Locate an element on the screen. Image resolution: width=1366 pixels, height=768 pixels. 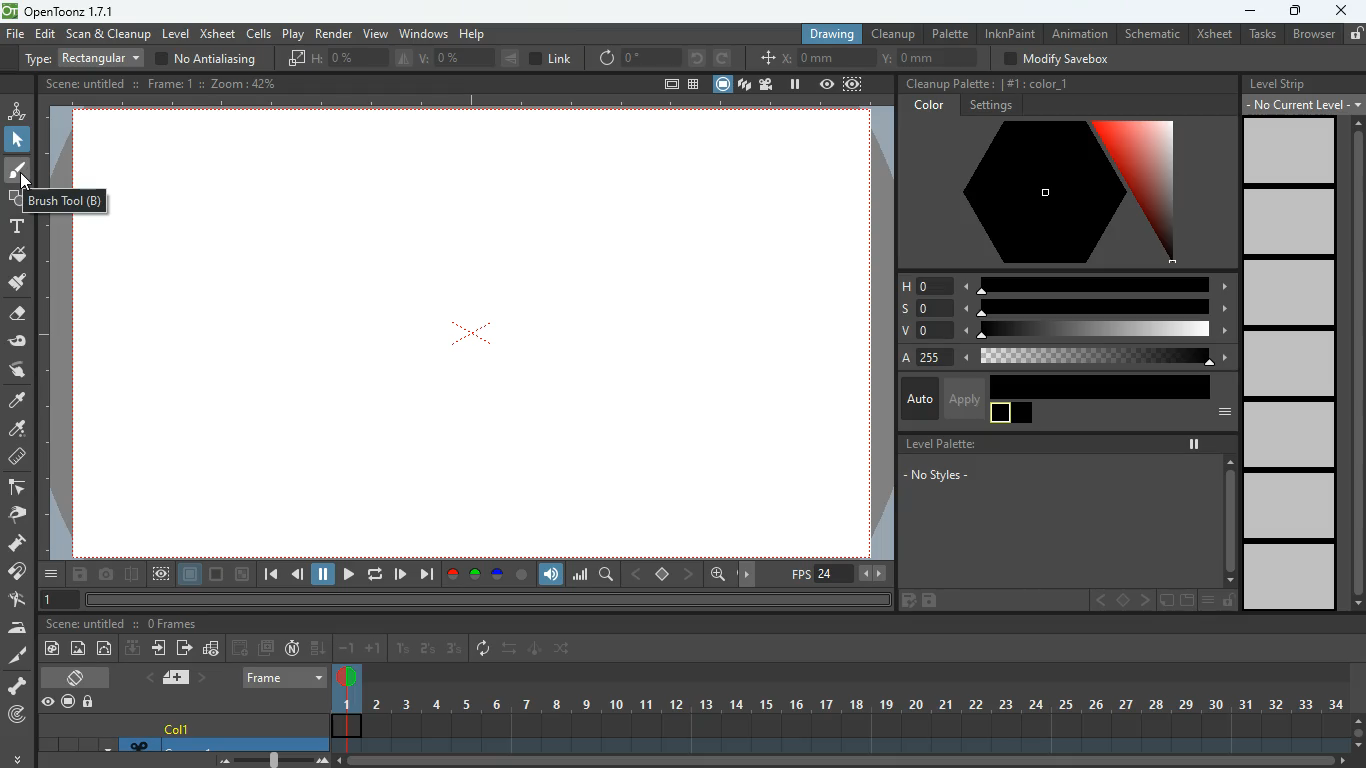
scroll is located at coordinates (850, 762).